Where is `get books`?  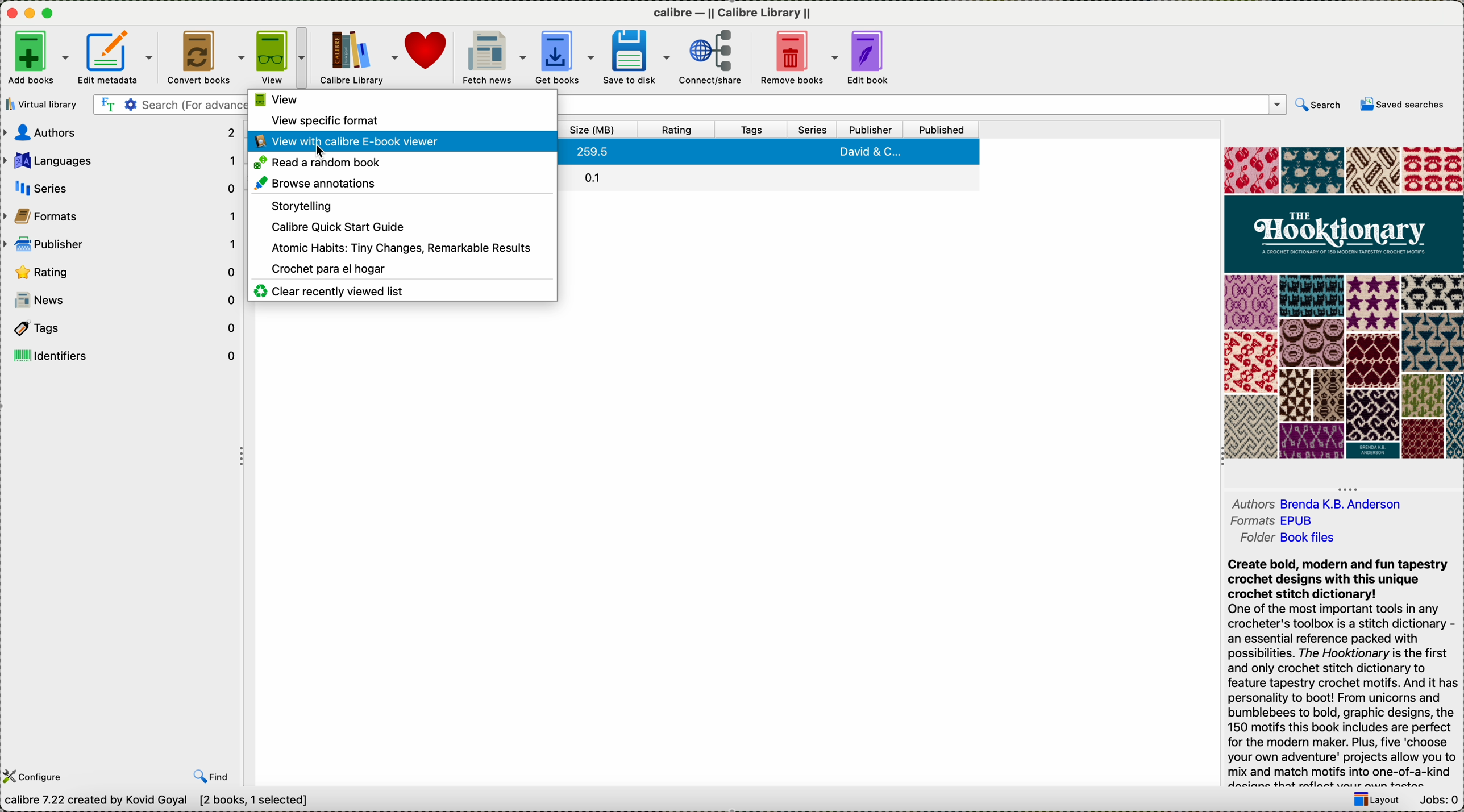
get books is located at coordinates (564, 55).